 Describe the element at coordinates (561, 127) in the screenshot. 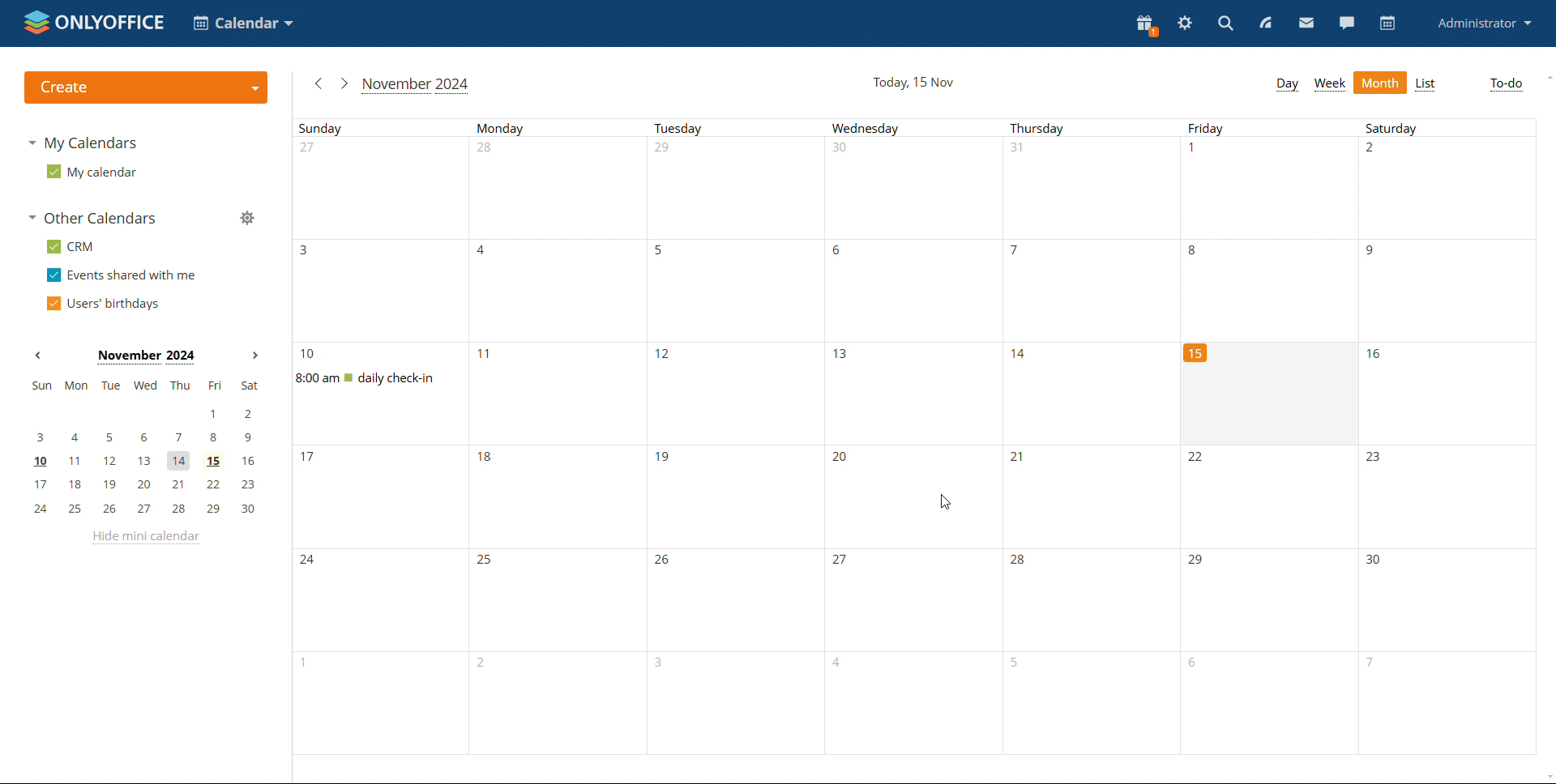

I see `individual day` at that location.